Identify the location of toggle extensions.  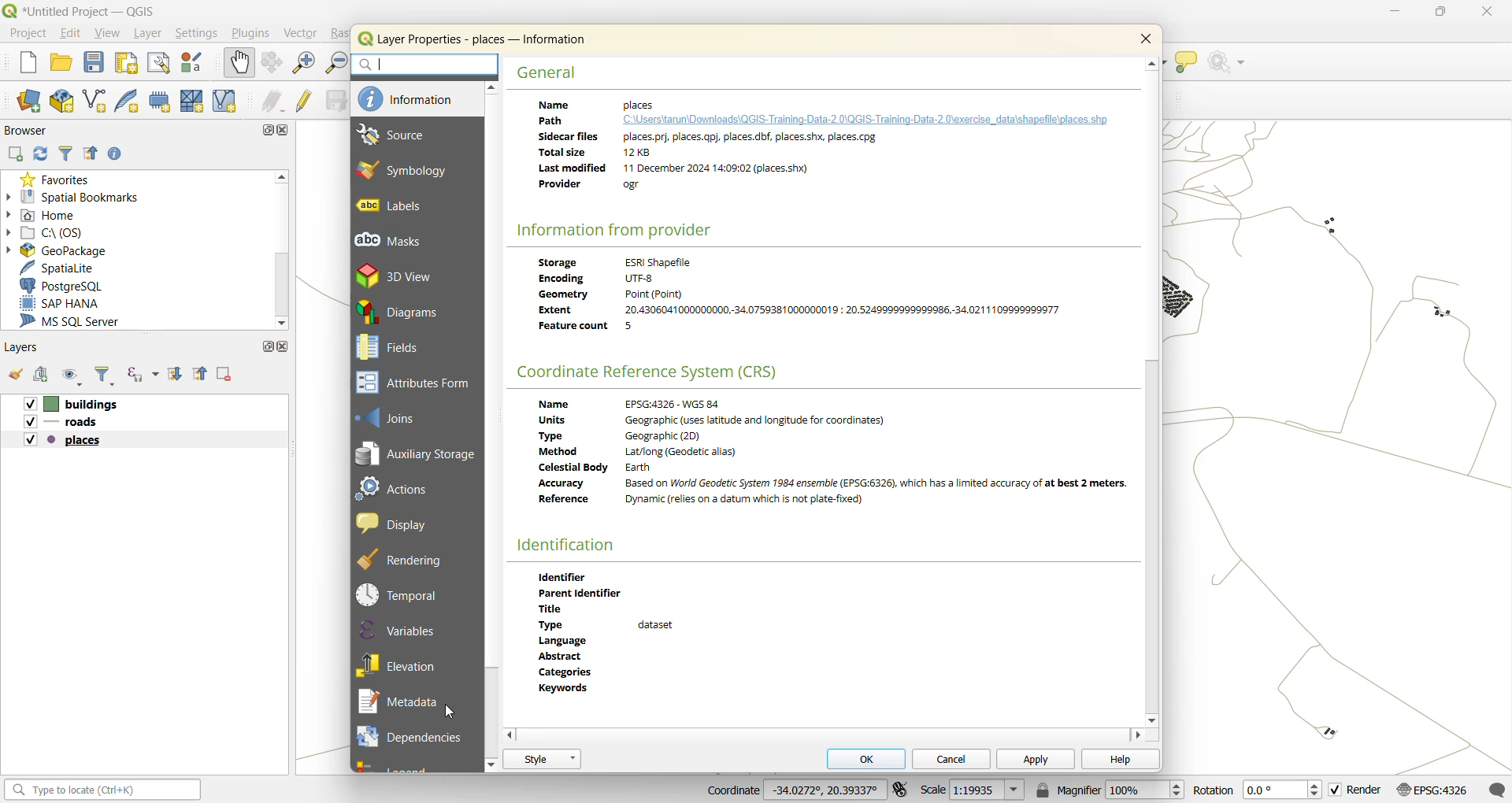
(902, 790).